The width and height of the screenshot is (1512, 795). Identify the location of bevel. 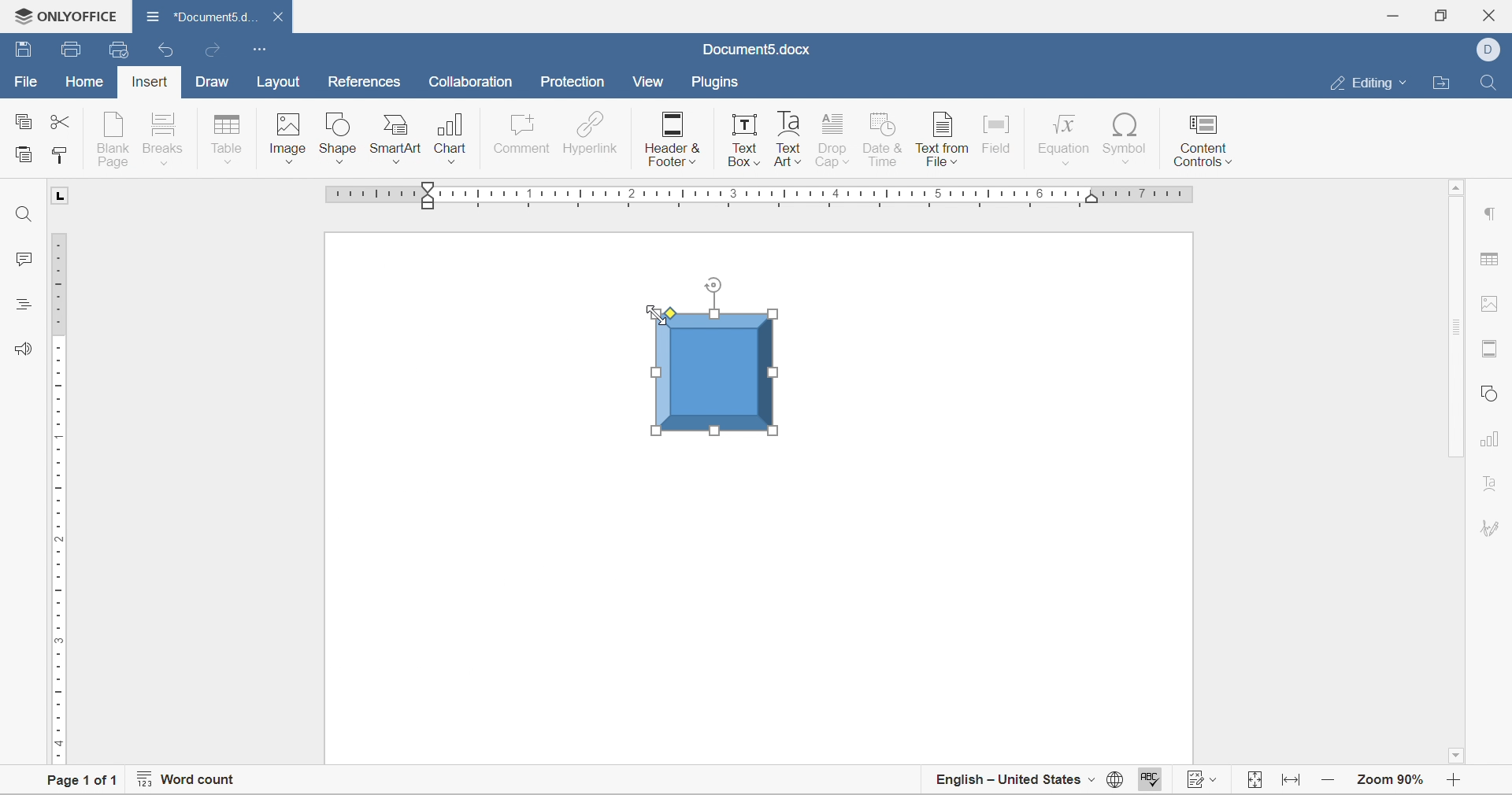
(719, 353).